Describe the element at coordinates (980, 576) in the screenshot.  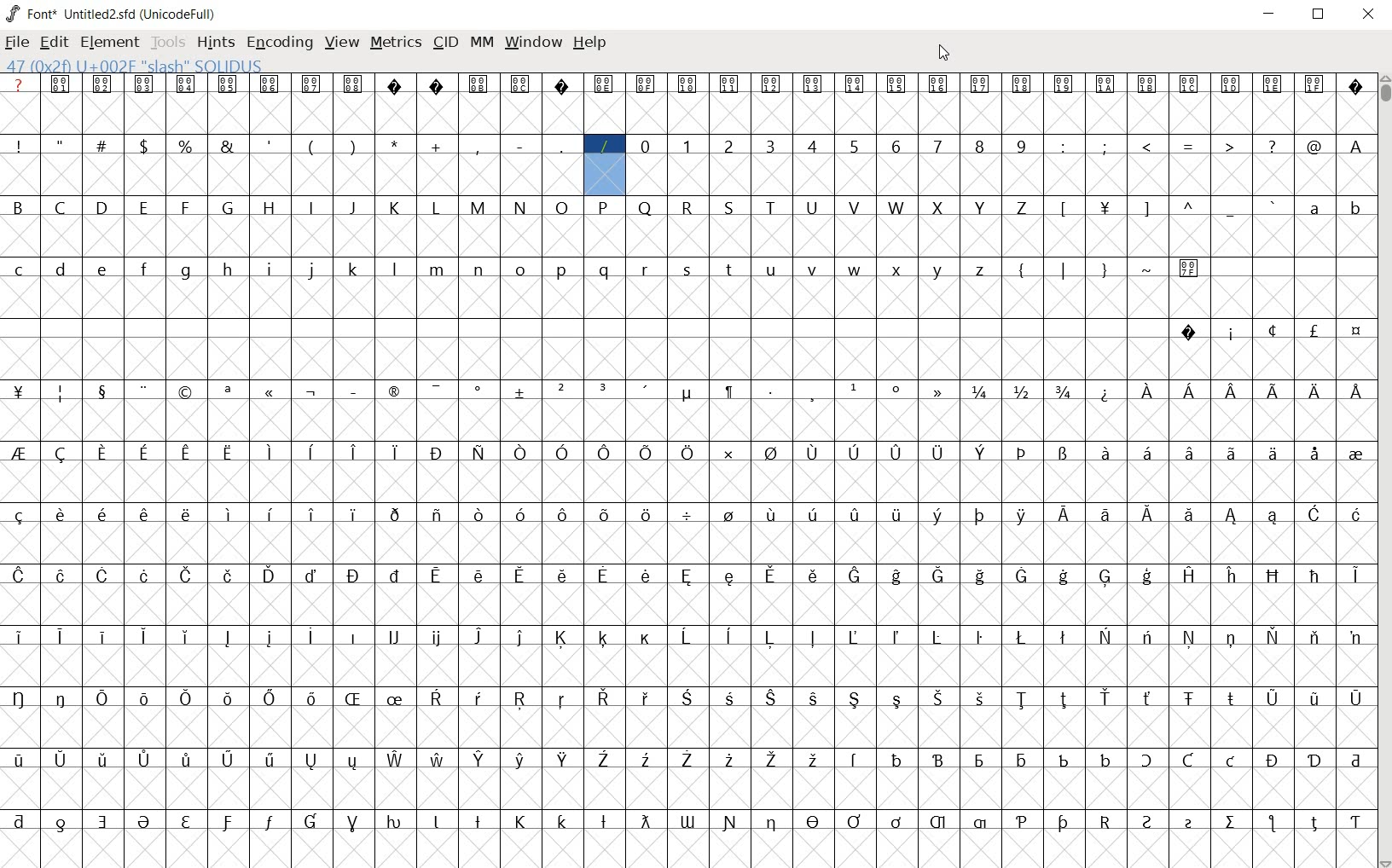
I see `glyph` at that location.